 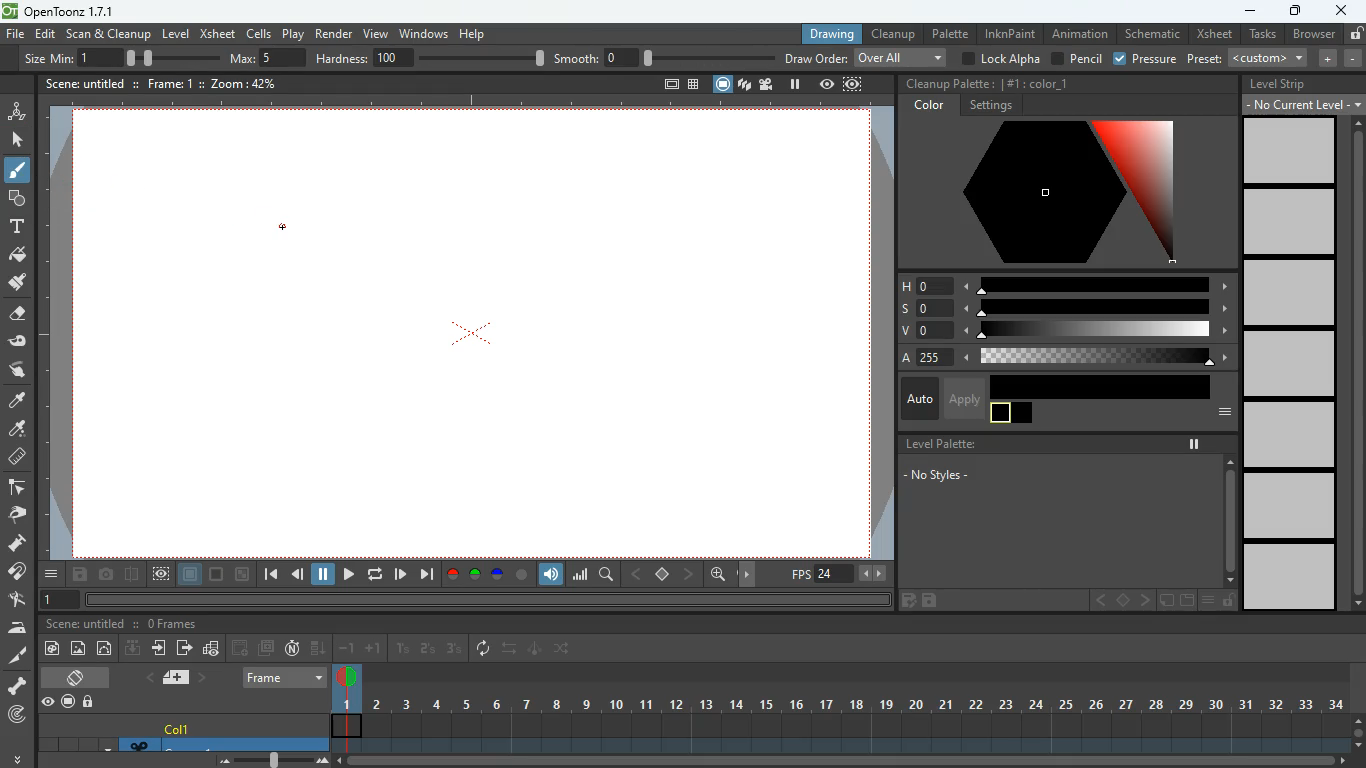 What do you see at coordinates (348, 576) in the screenshot?
I see `play` at bounding box center [348, 576].